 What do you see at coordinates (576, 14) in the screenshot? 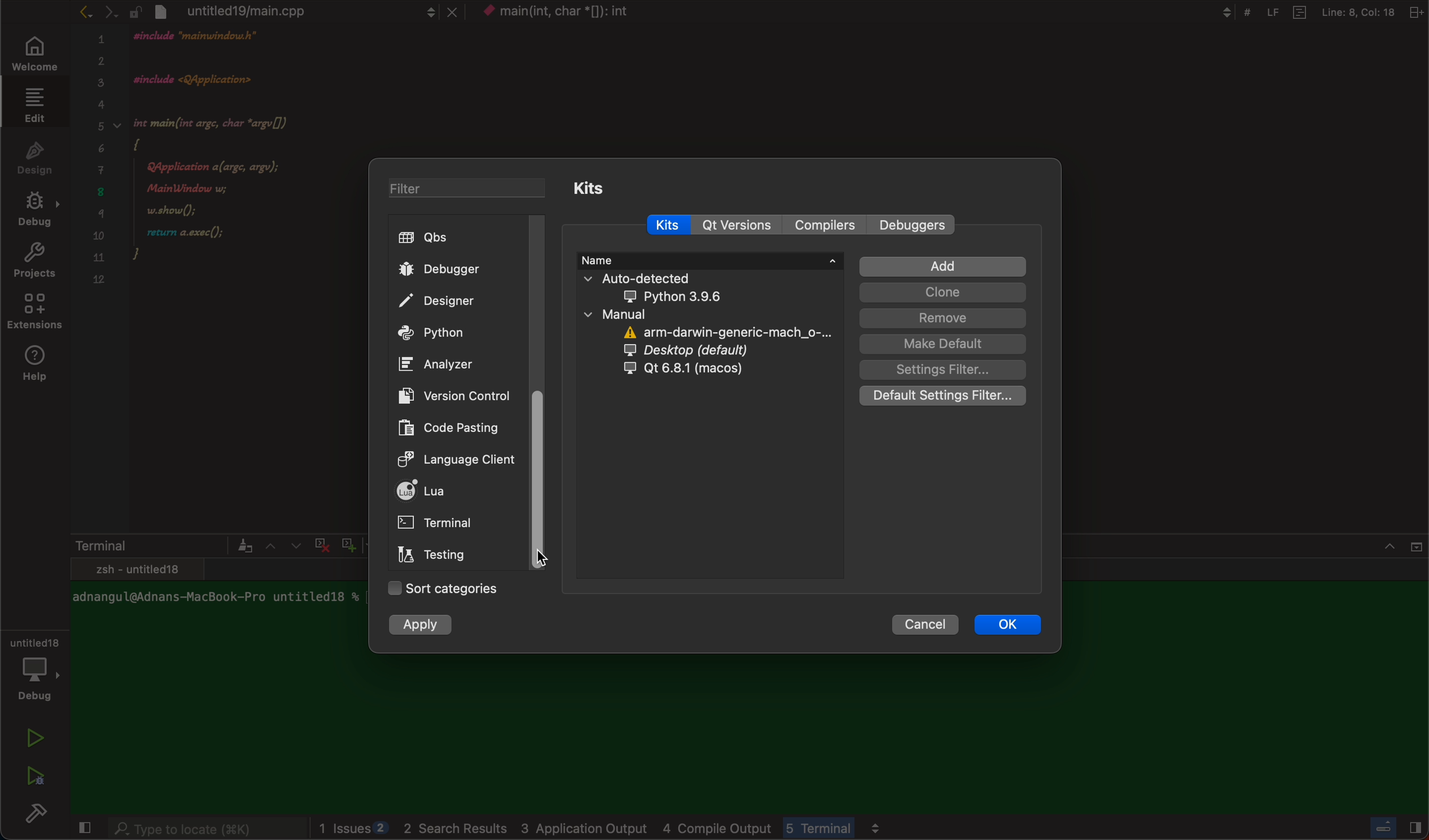
I see `file name` at bounding box center [576, 14].